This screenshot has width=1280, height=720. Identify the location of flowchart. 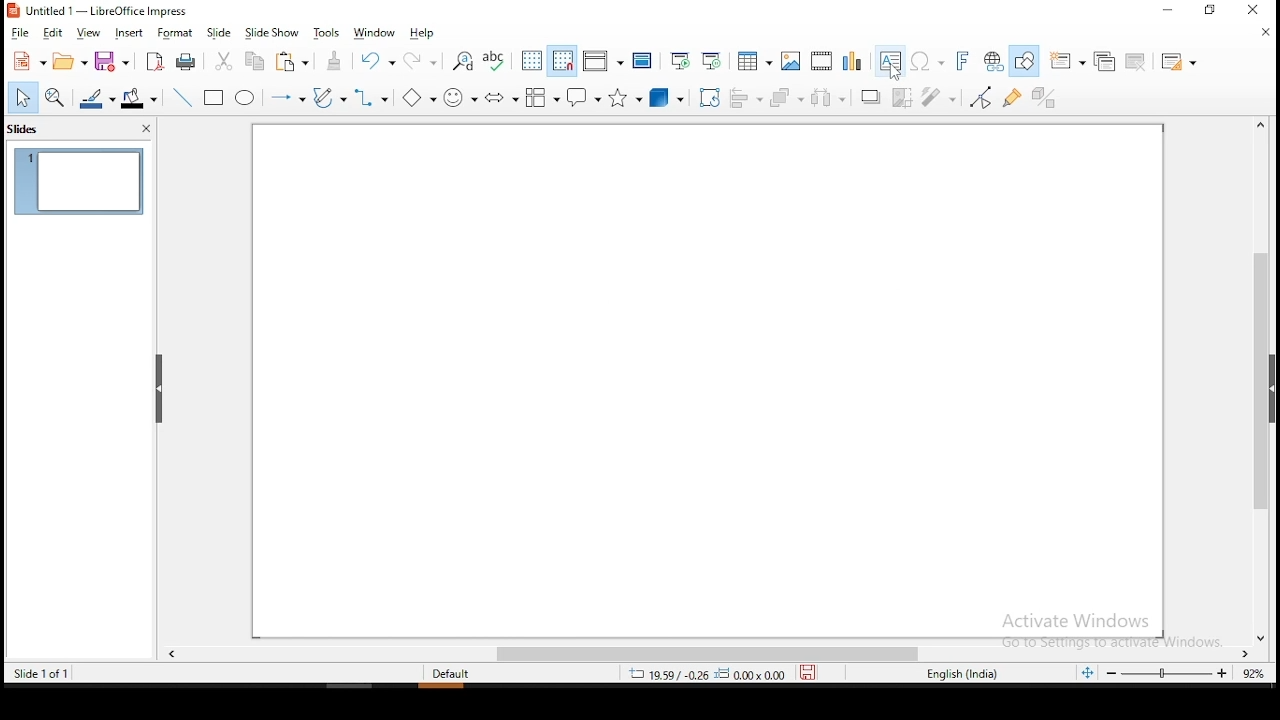
(541, 96).